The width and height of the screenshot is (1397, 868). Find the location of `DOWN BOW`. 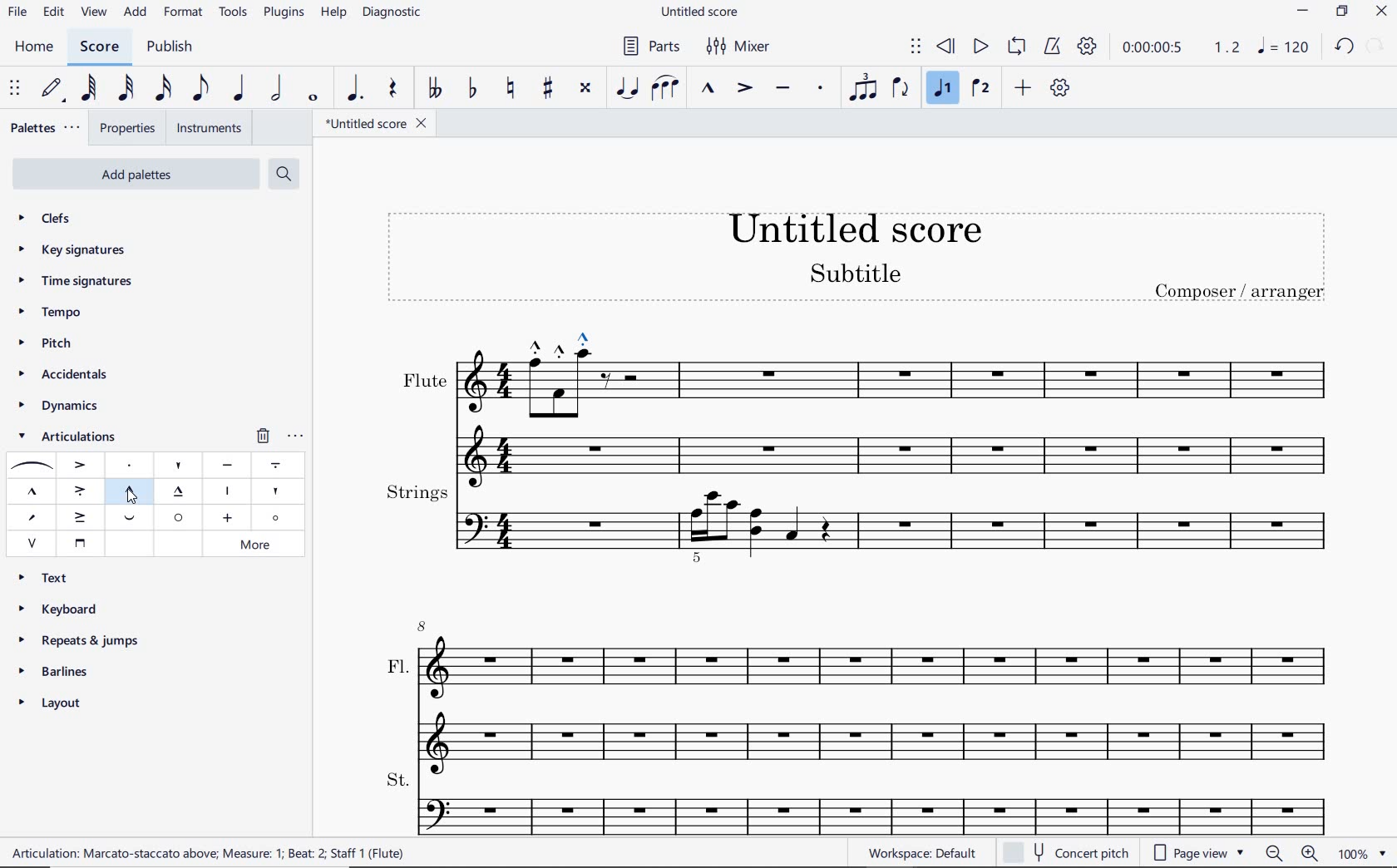

DOWN BOW is located at coordinates (78, 542).